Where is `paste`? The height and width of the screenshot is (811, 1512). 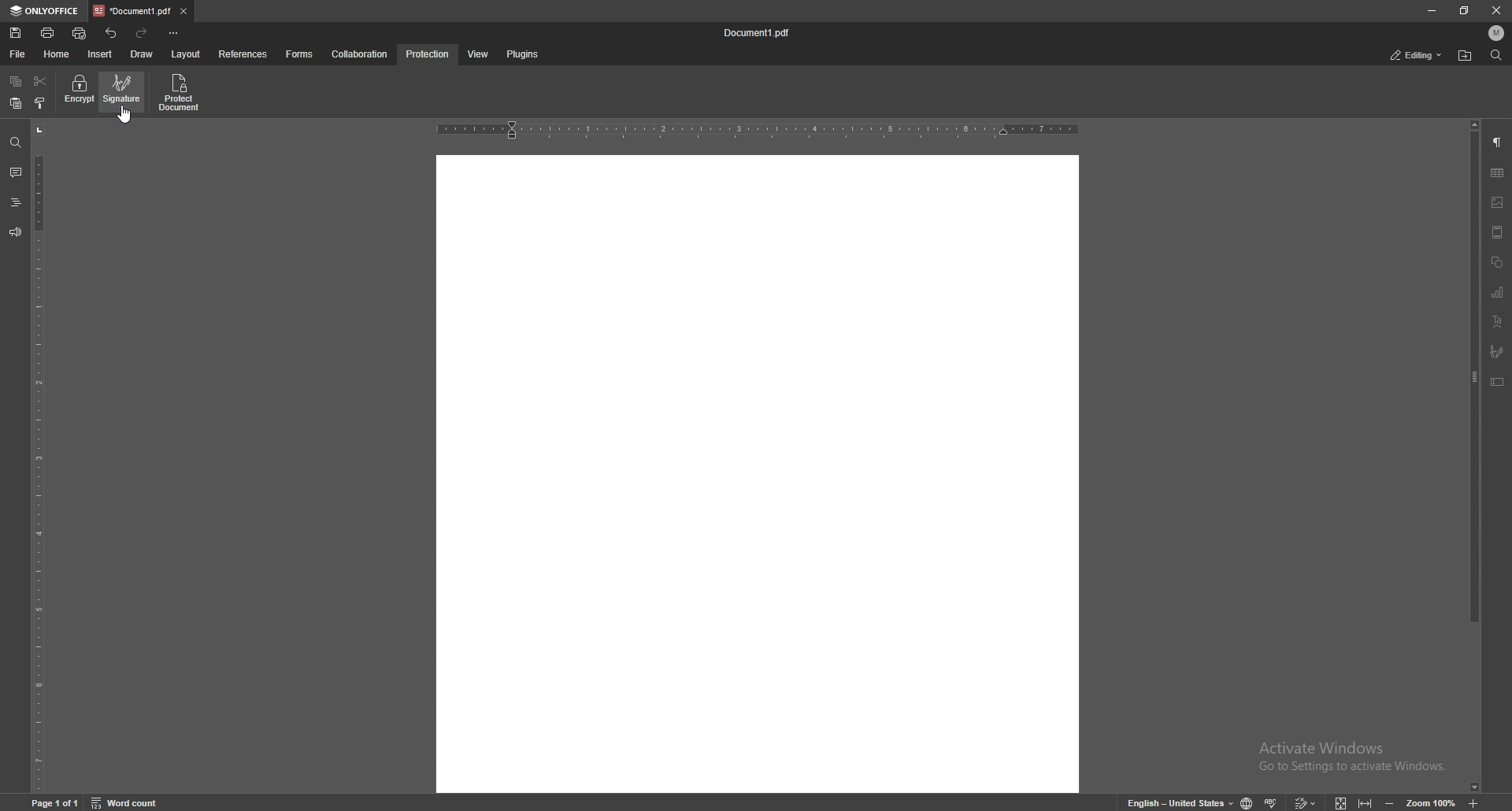
paste is located at coordinates (15, 104).